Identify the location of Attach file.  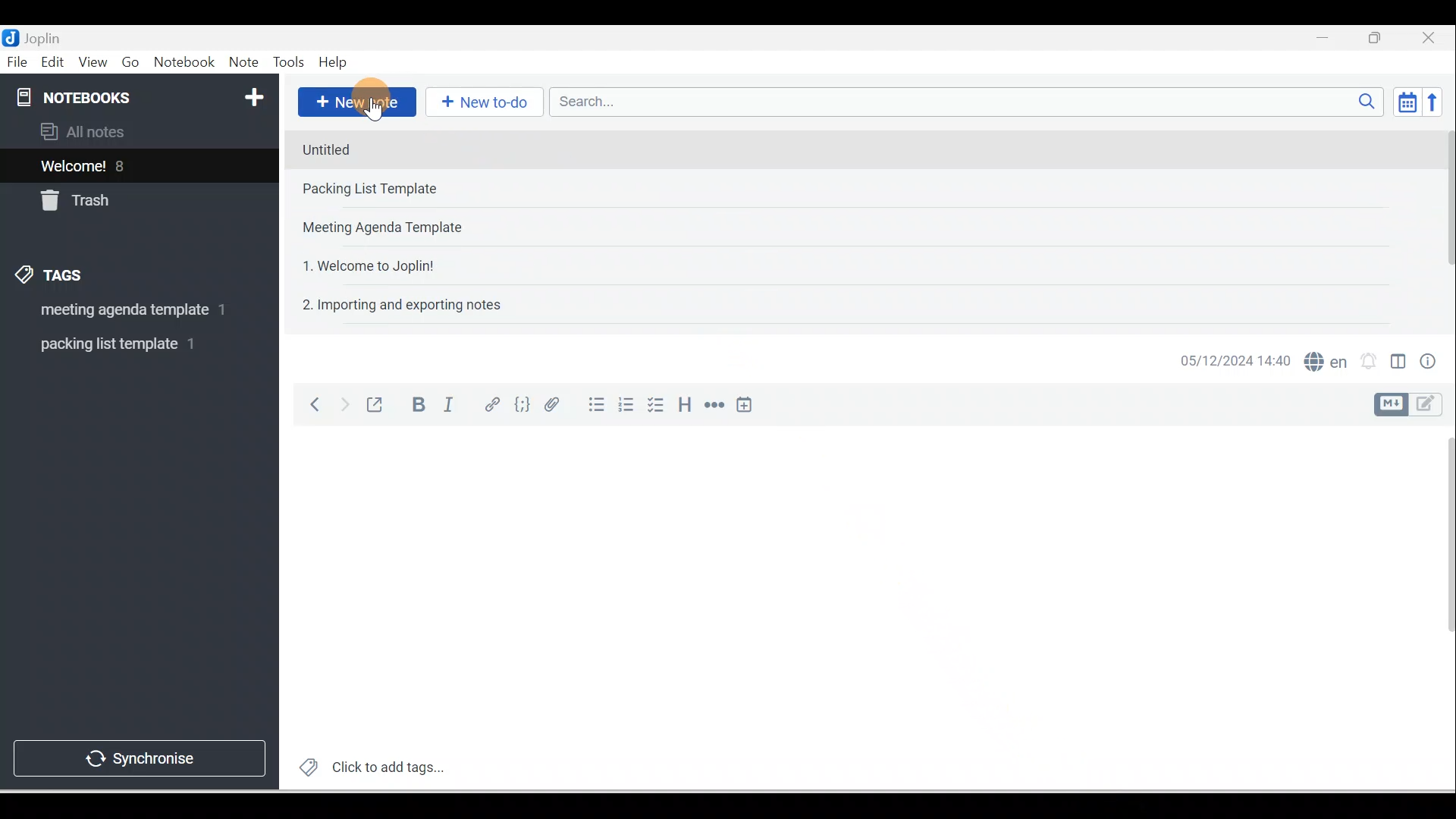
(556, 404).